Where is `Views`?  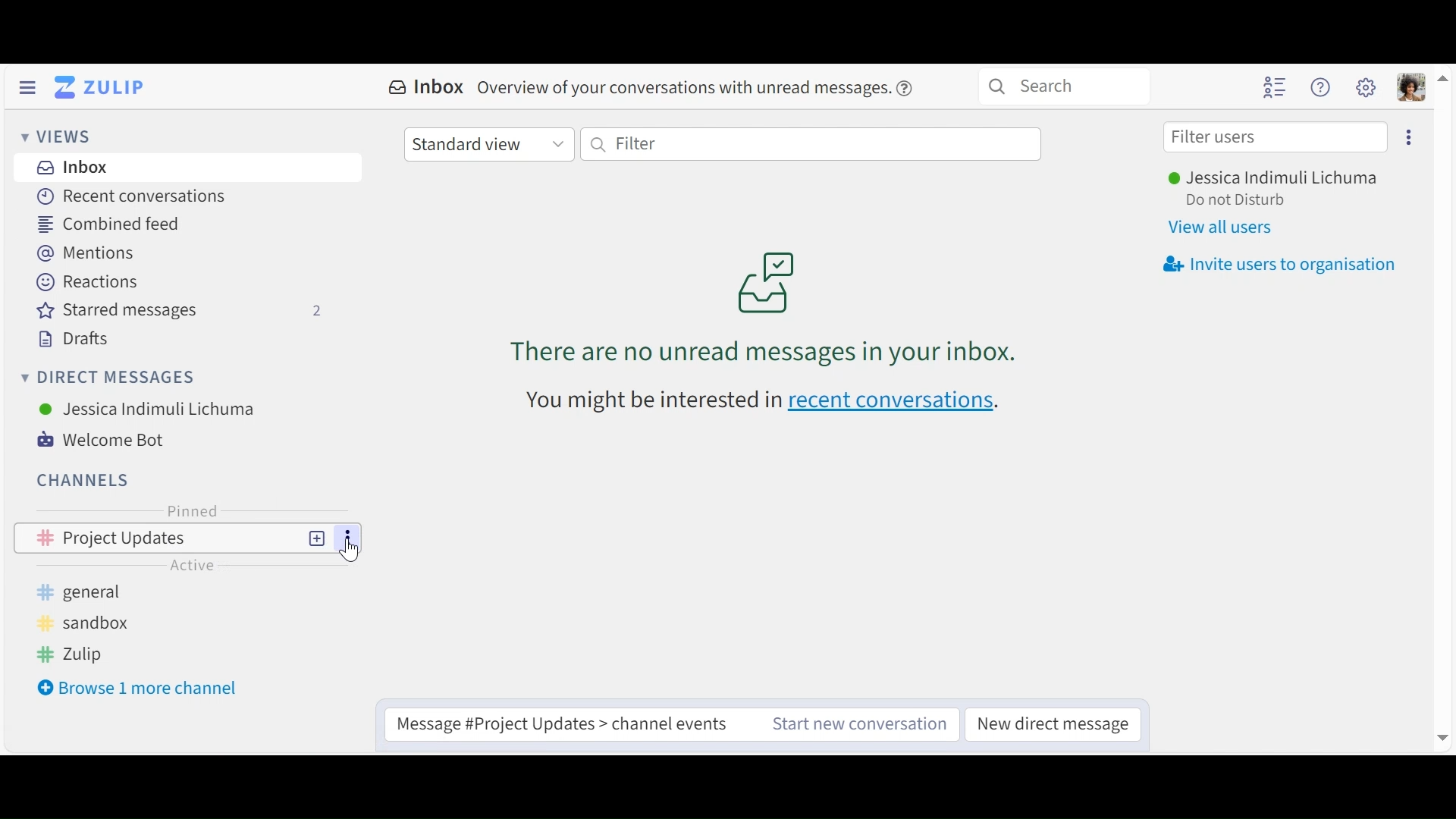
Views is located at coordinates (58, 138).